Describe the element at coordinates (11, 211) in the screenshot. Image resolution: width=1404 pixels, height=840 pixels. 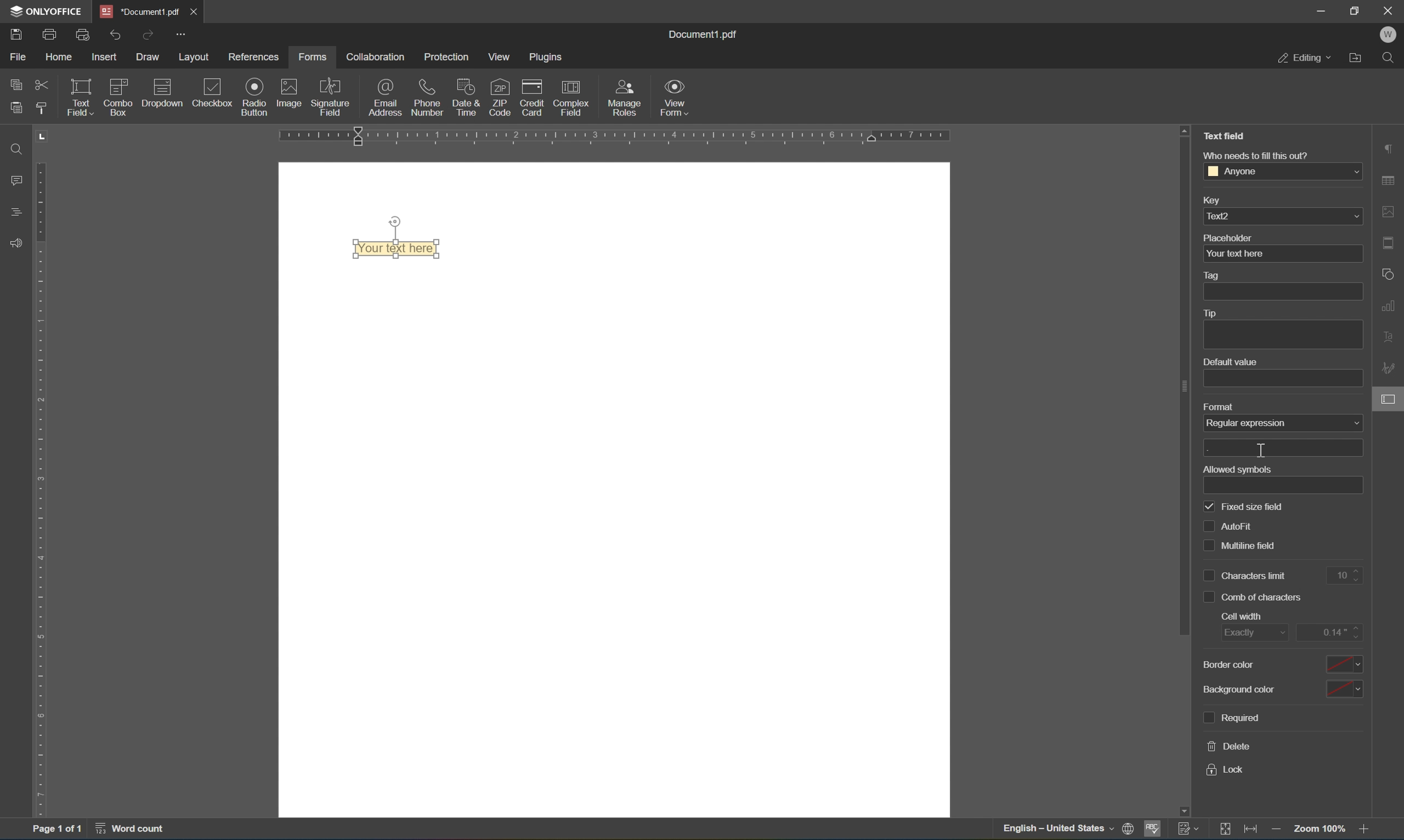
I see `headings` at that location.